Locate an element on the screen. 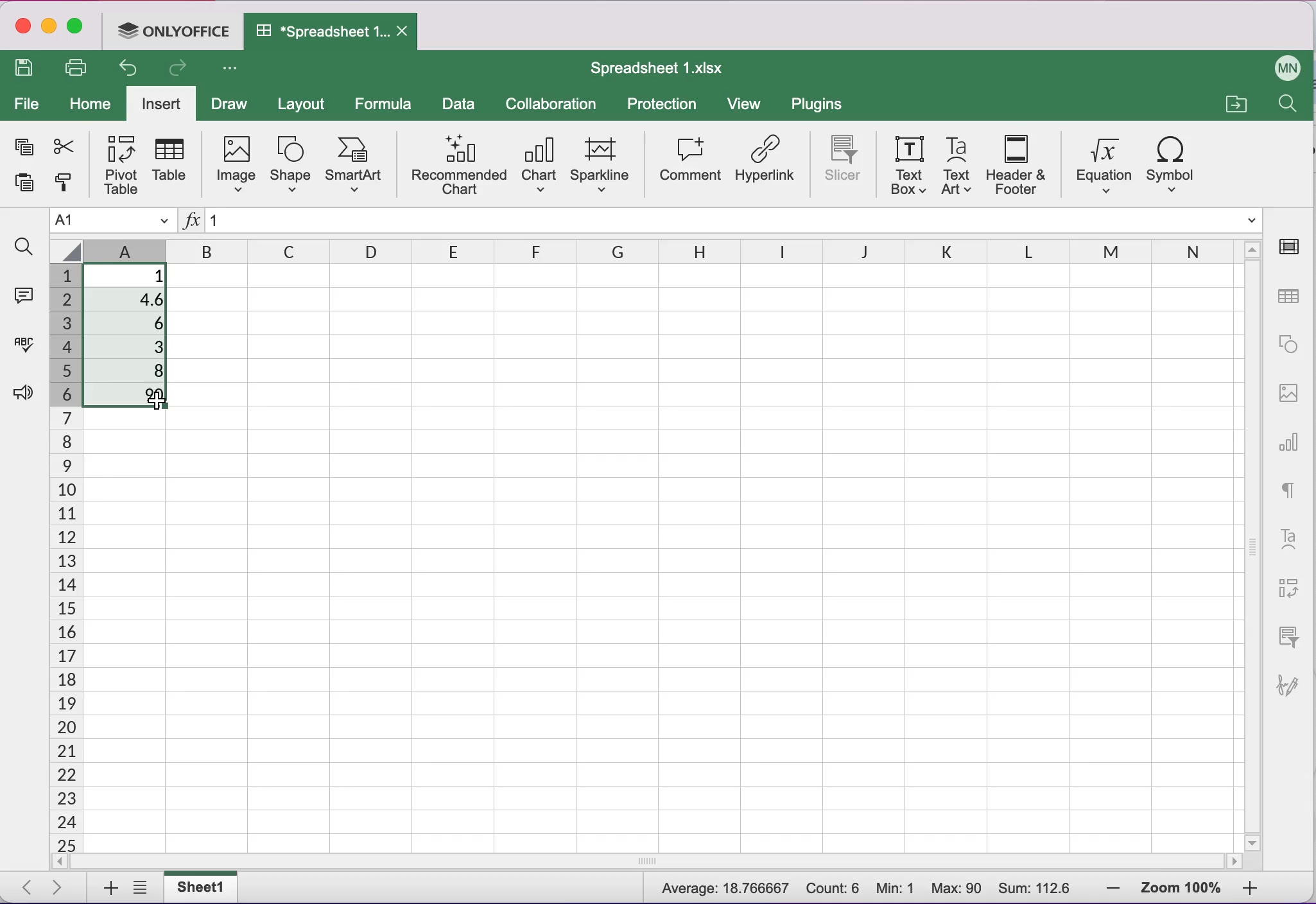 This screenshot has height=904, width=1316. horizontal scrollbar is located at coordinates (649, 861).